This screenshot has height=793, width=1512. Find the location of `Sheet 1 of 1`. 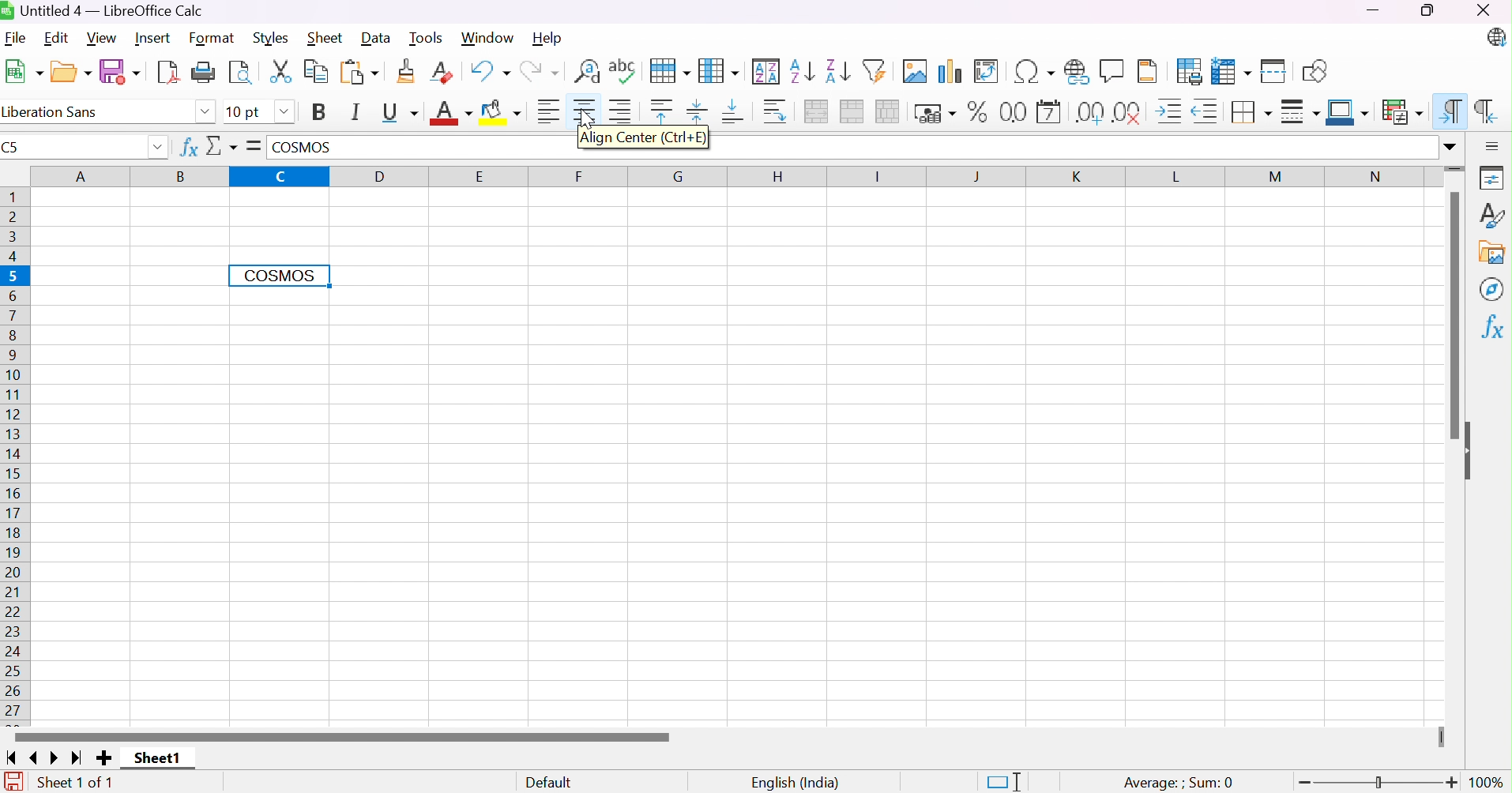

Sheet 1 of 1 is located at coordinates (78, 784).